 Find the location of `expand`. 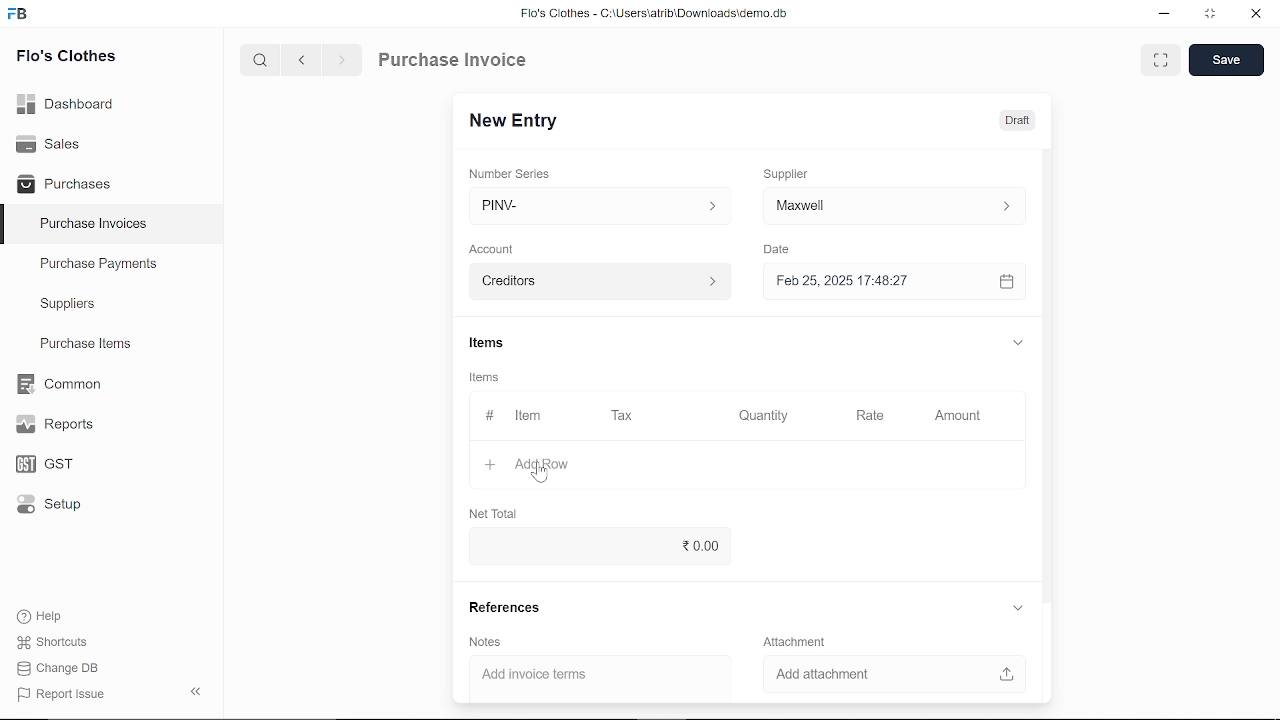

expand is located at coordinates (1015, 340).